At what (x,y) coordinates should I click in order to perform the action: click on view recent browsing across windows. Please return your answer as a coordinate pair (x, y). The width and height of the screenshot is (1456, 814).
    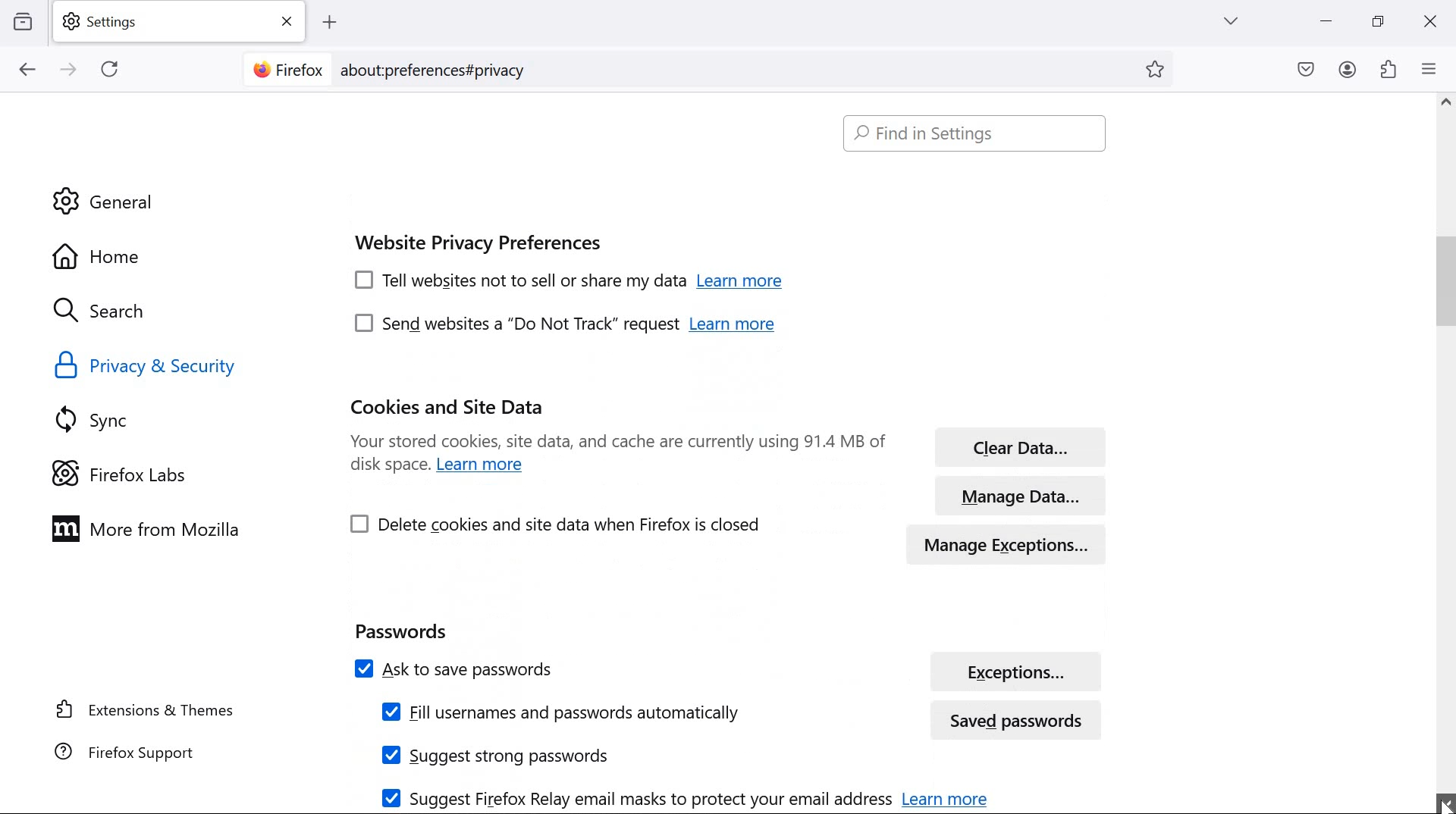
    Looking at the image, I should click on (23, 20).